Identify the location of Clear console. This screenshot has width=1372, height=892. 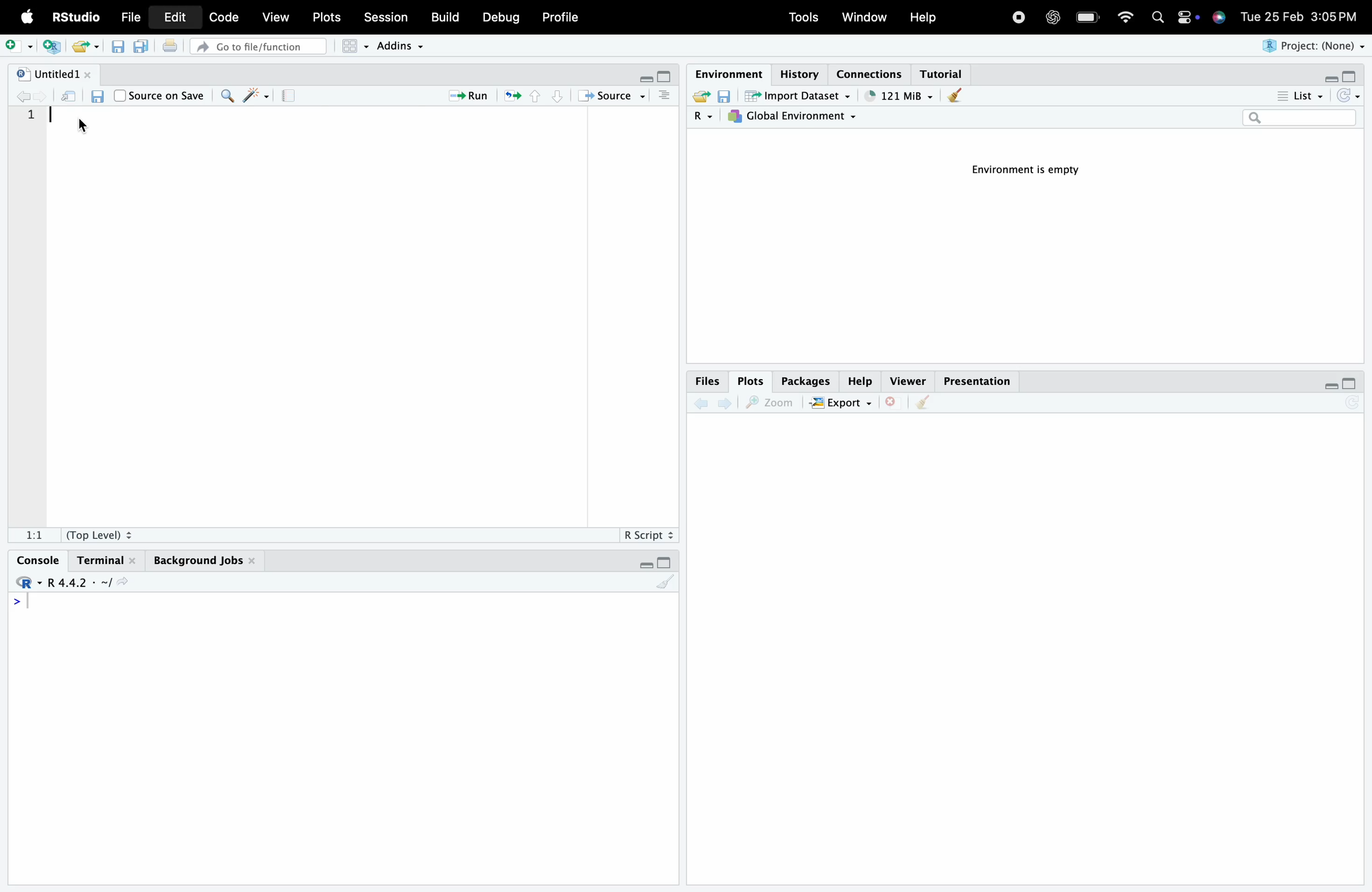
(668, 584).